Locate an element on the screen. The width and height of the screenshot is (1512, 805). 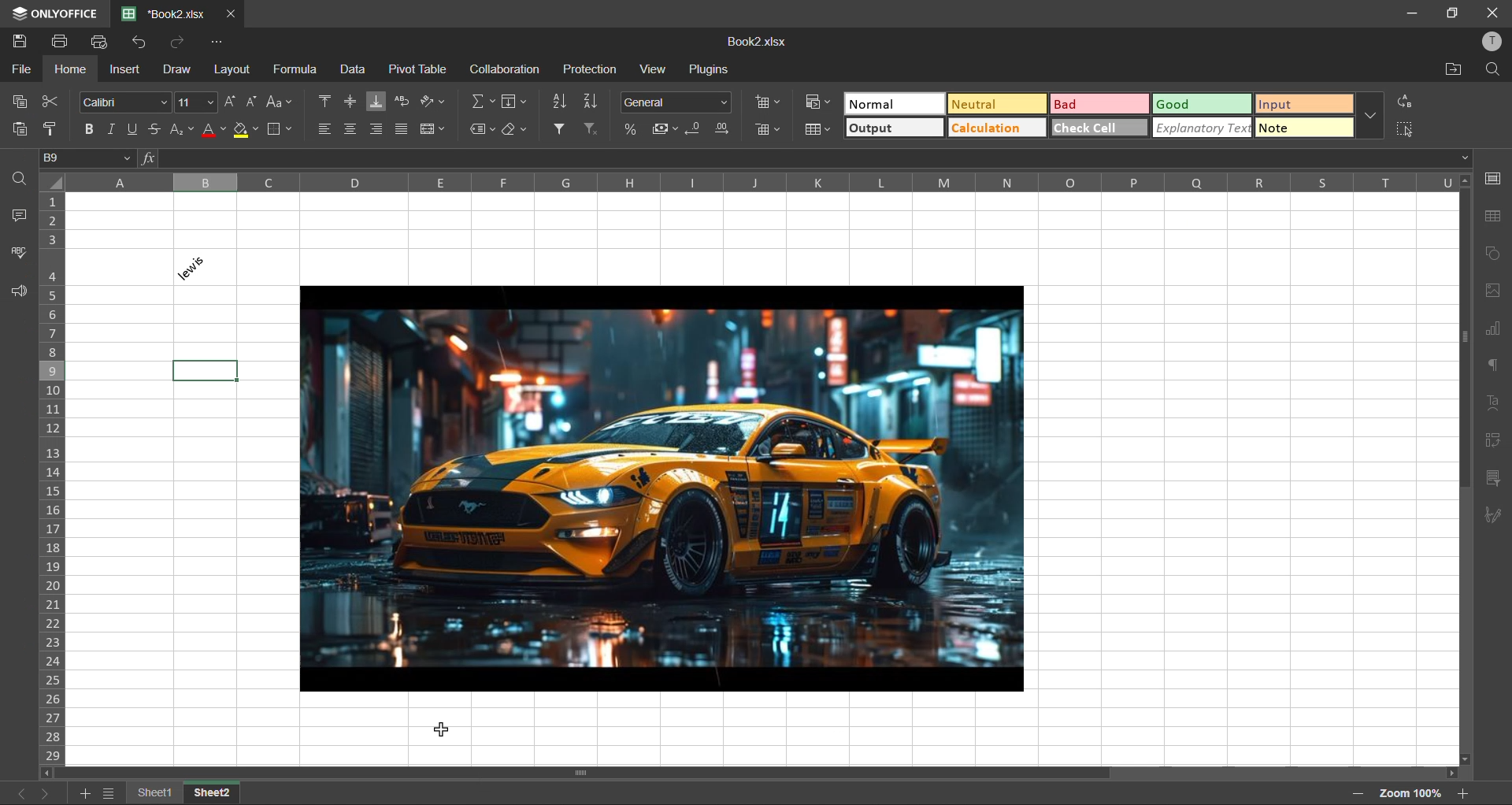
sub/superscript is located at coordinates (182, 130).